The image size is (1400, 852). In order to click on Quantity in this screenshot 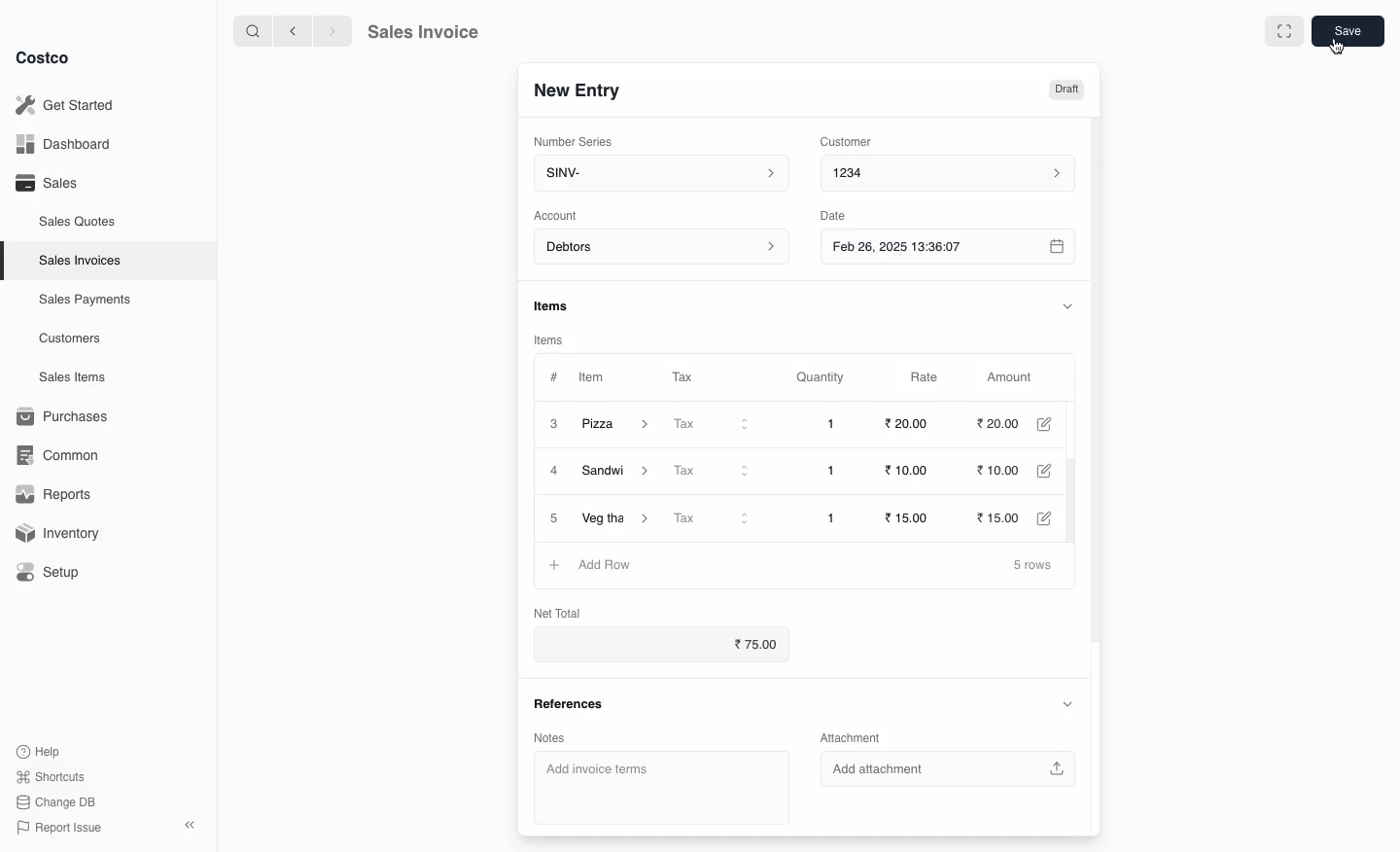, I will do `click(819, 378)`.